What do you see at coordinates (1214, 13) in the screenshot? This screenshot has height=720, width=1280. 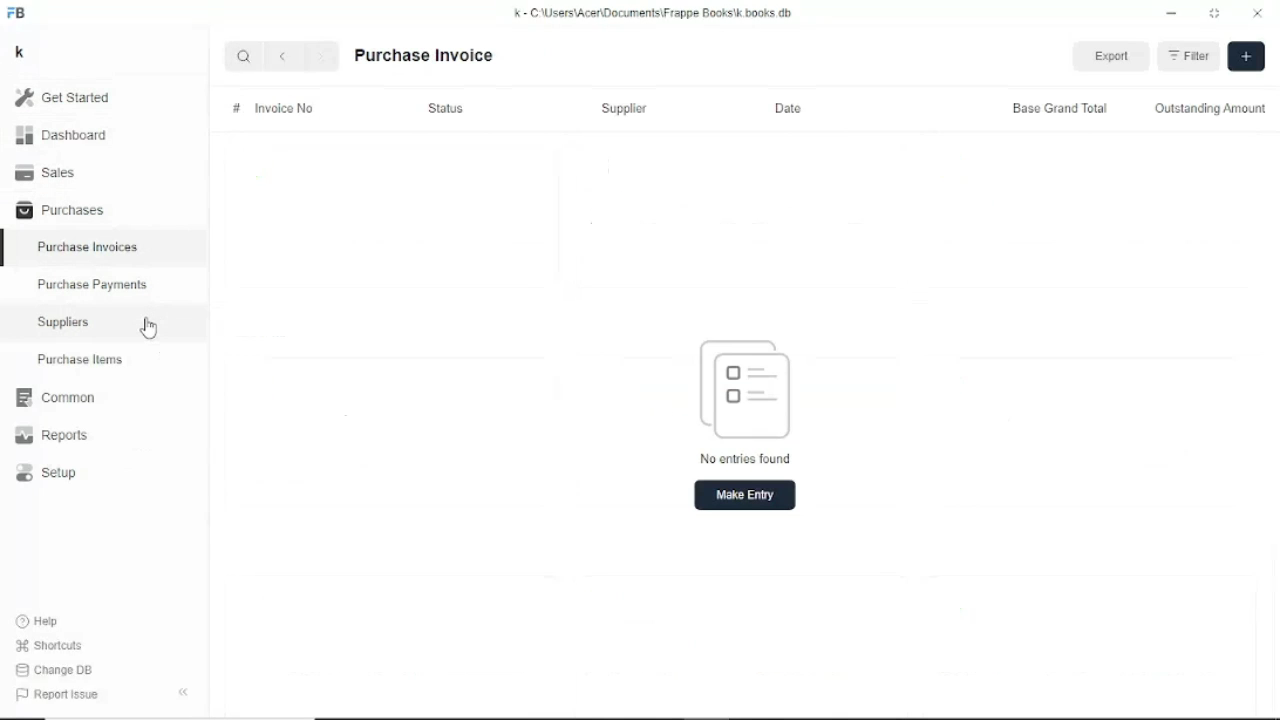 I see `Toggle between form and full width` at bounding box center [1214, 13].